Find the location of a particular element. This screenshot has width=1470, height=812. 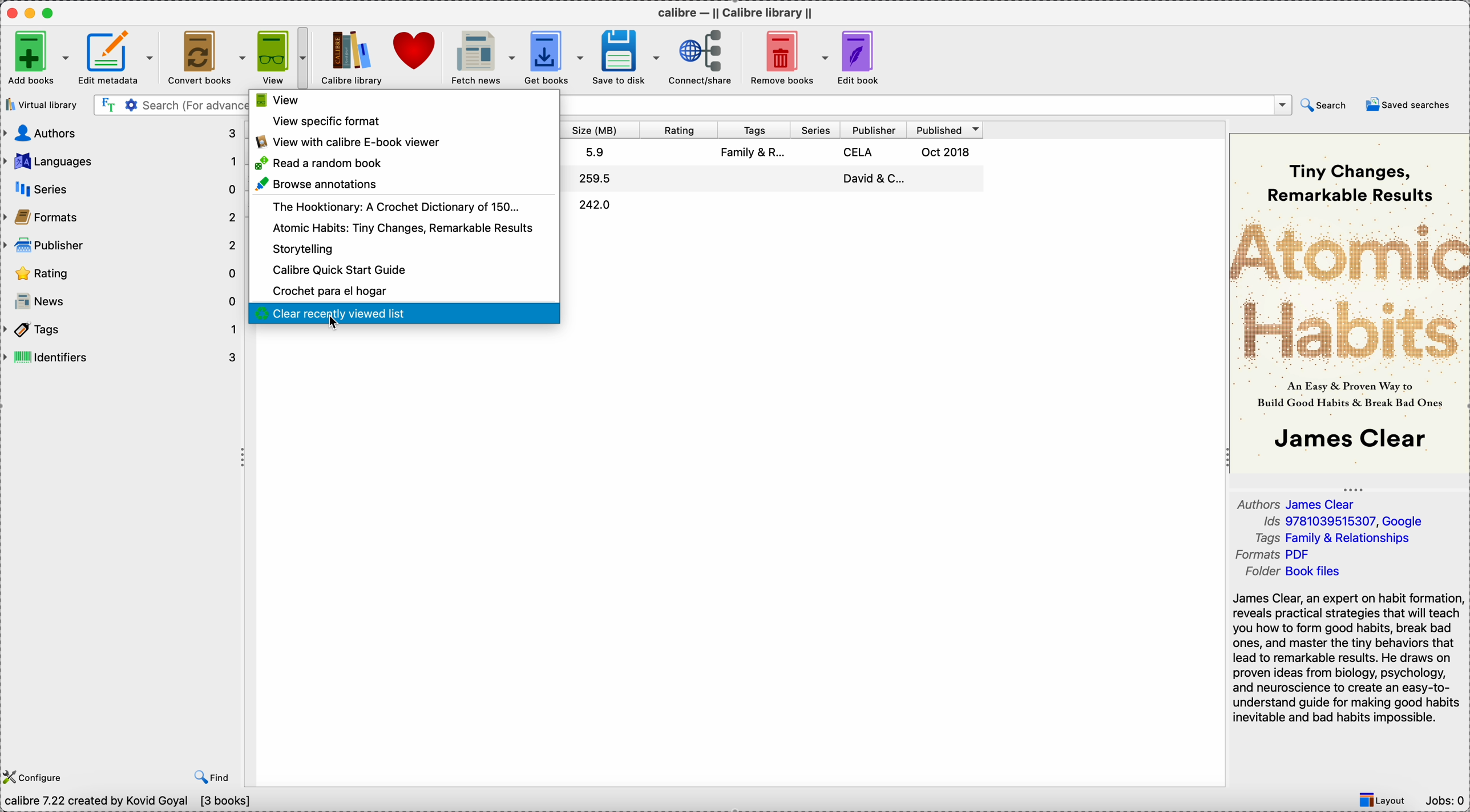

series is located at coordinates (122, 185).